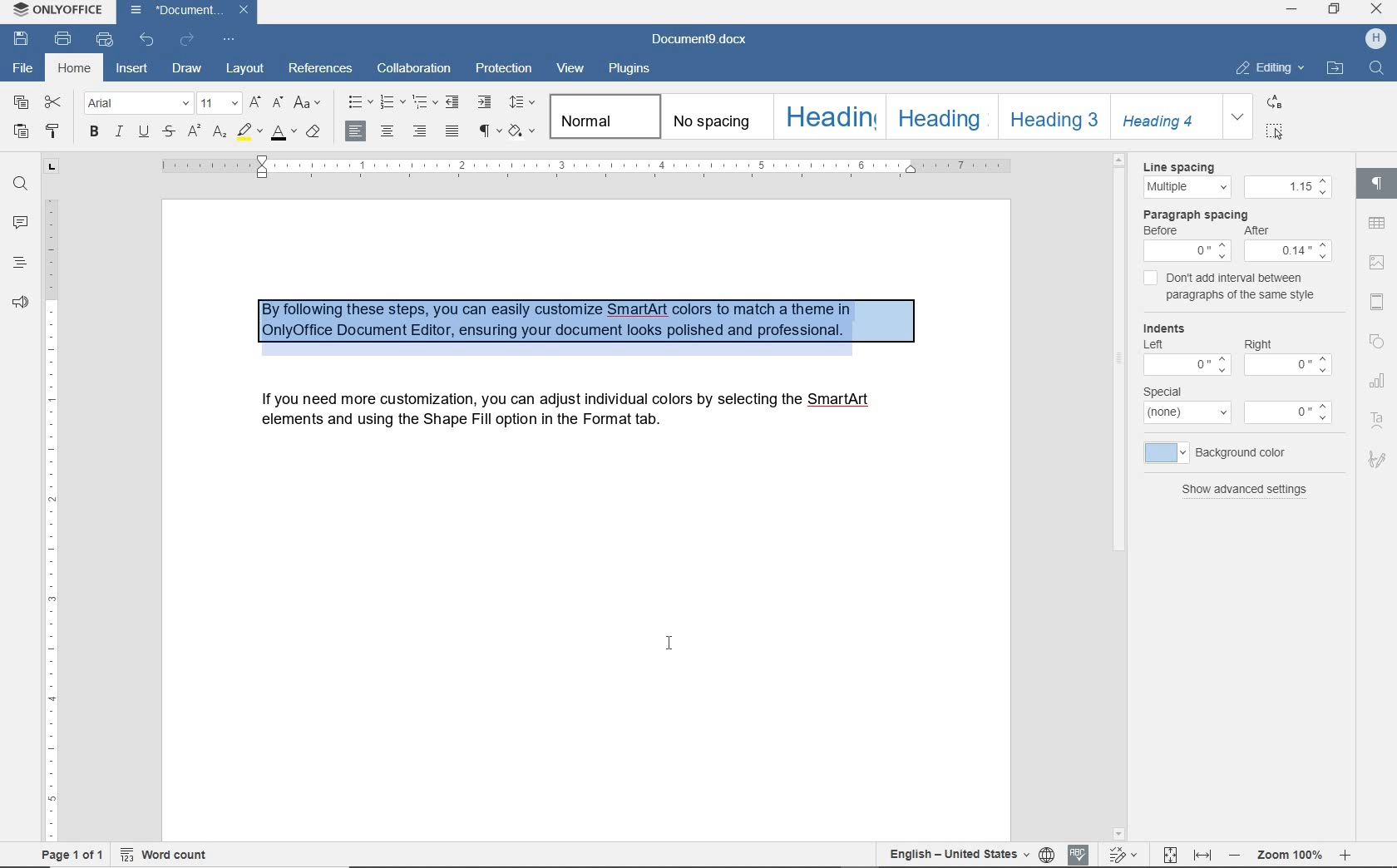 The width and height of the screenshot is (1397, 868). I want to click on scroll up, so click(1120, 158).